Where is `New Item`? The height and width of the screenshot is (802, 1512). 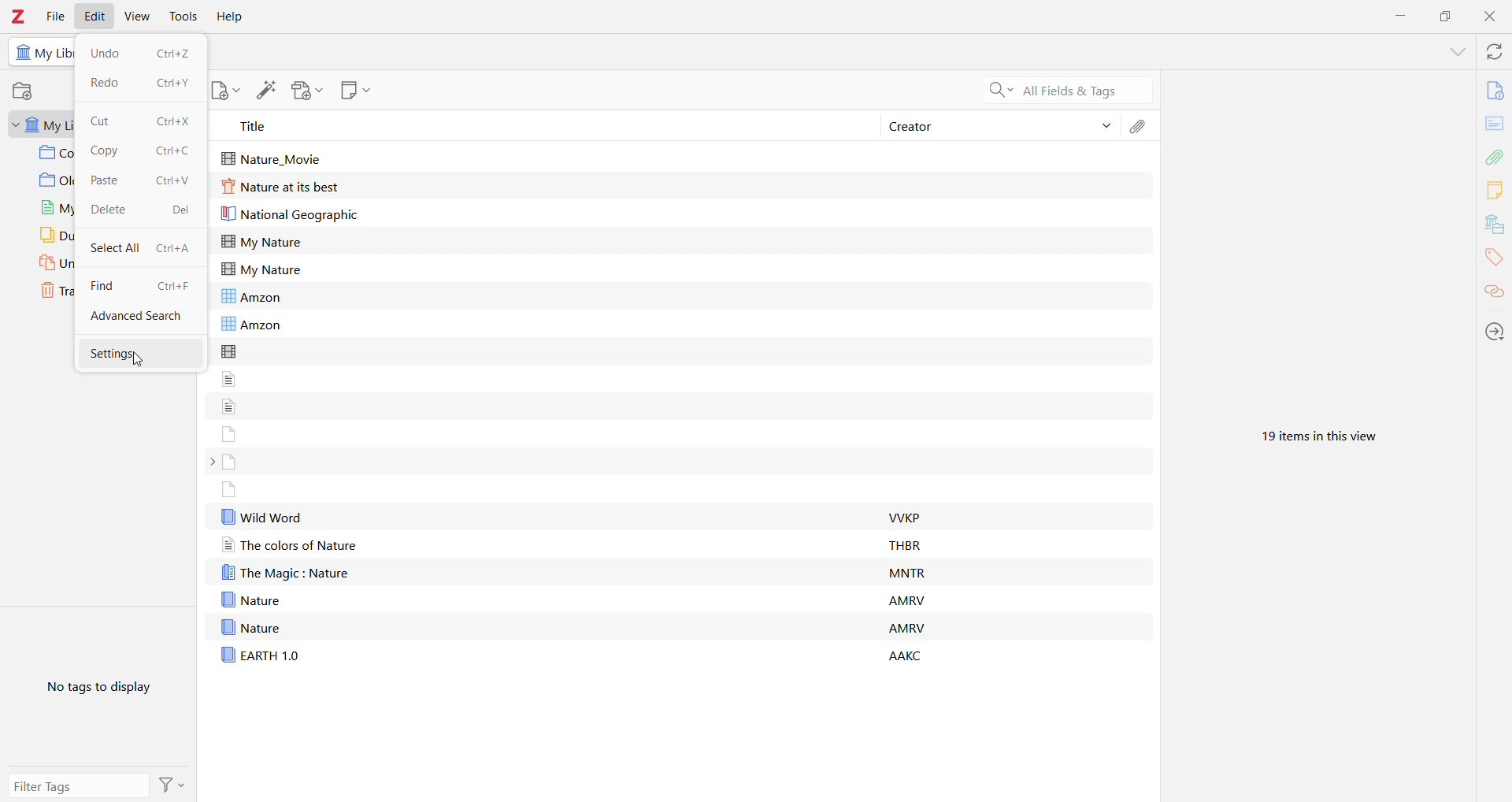
New Item is located at coordinates (224, 89).